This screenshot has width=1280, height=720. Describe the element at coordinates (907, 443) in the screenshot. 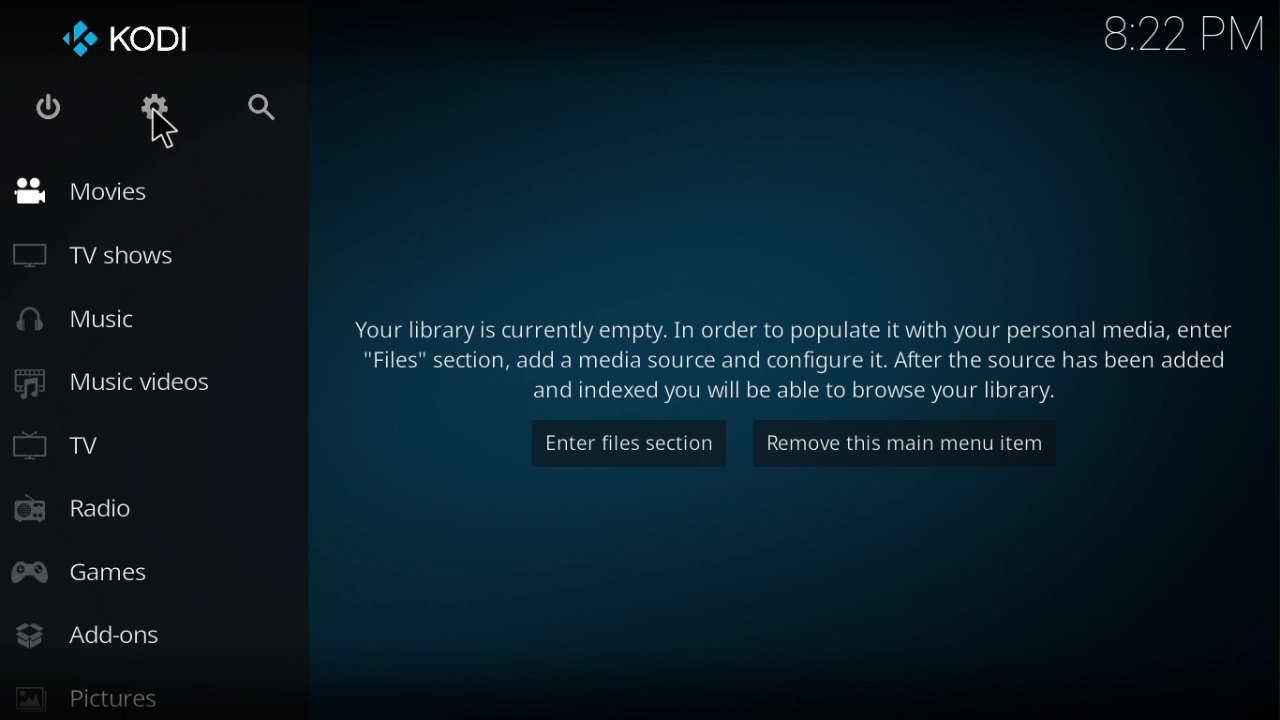

I see `remove this main menu item` at that location.